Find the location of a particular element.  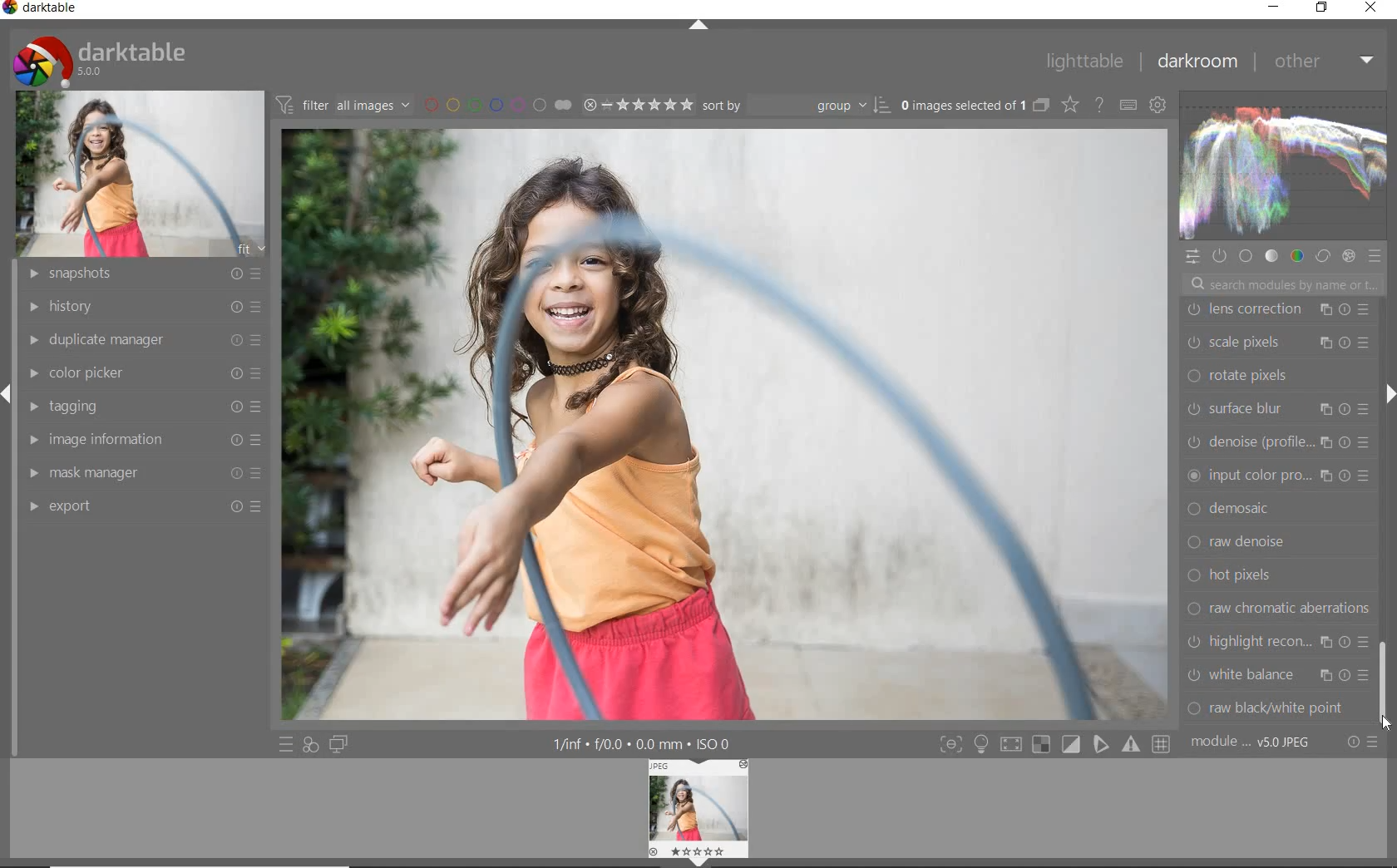

export is located at coordinates (144, 506).